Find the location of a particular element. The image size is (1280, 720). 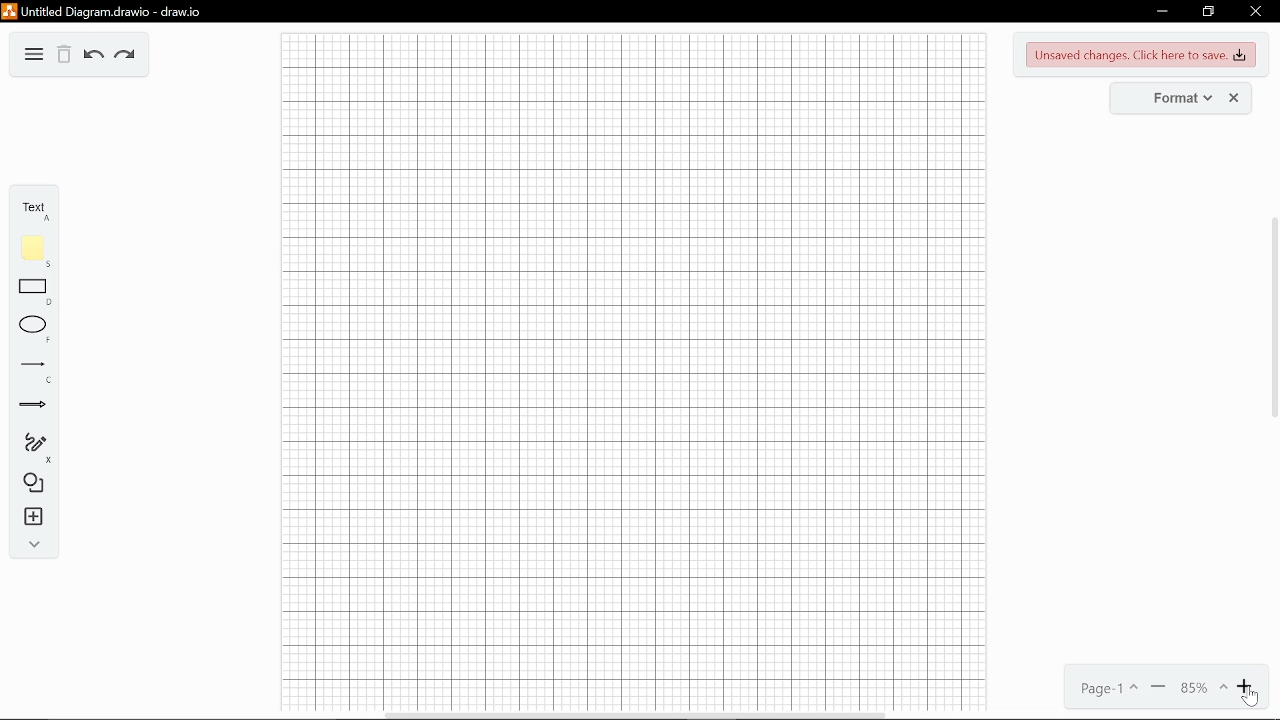

cursor is located at coordinates (1250, 696).